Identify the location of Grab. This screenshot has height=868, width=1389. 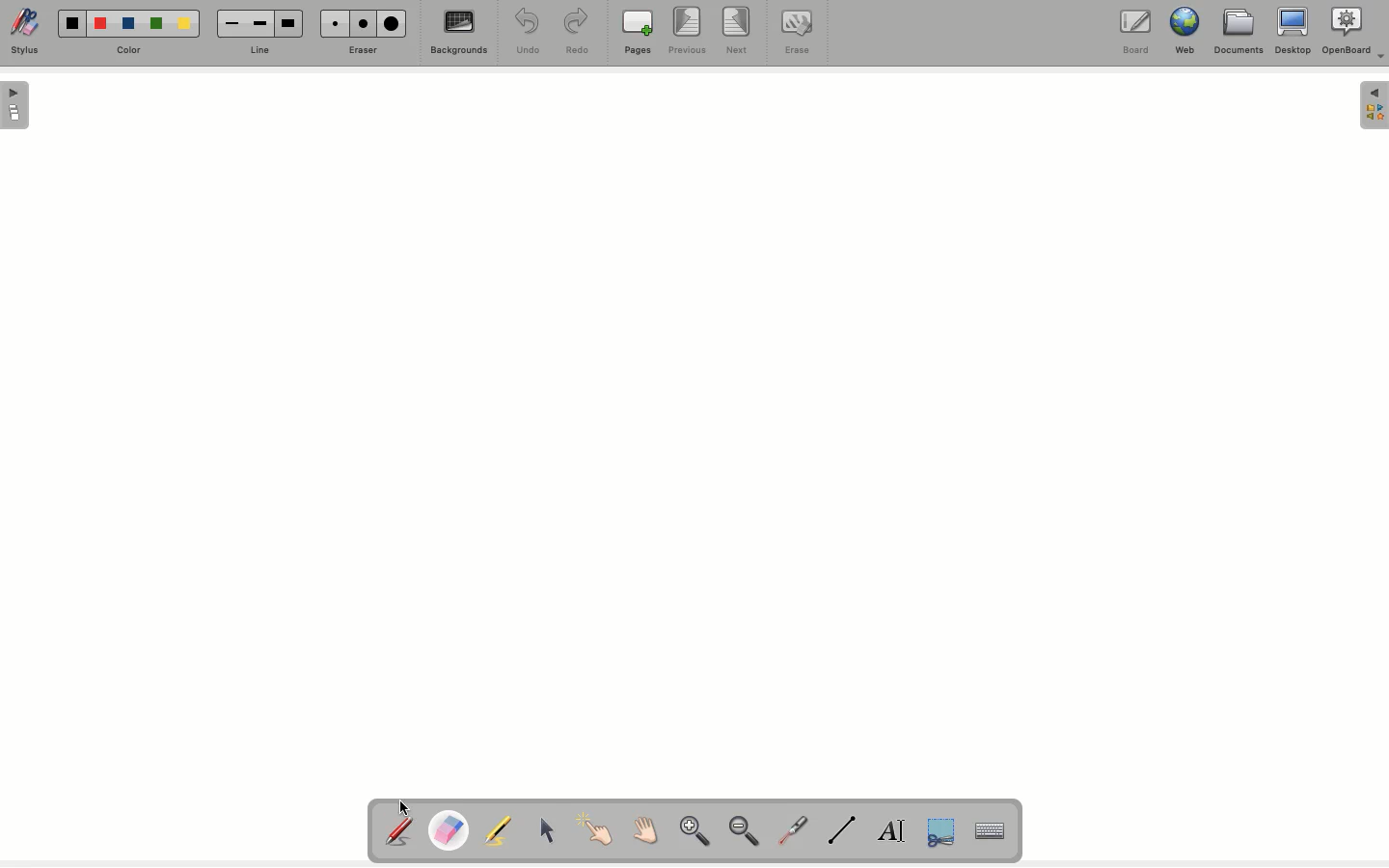
(643, 831).